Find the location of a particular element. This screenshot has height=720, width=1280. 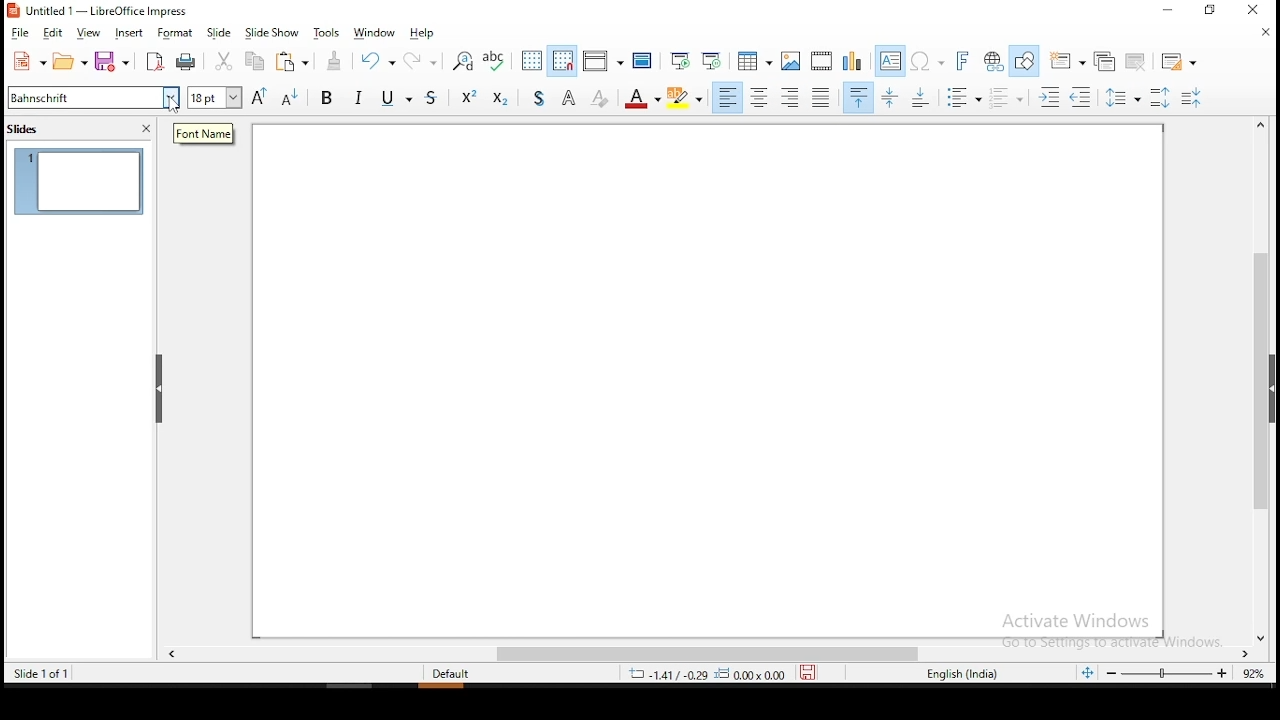

character highlighting color is located at coordinates (687, 98).